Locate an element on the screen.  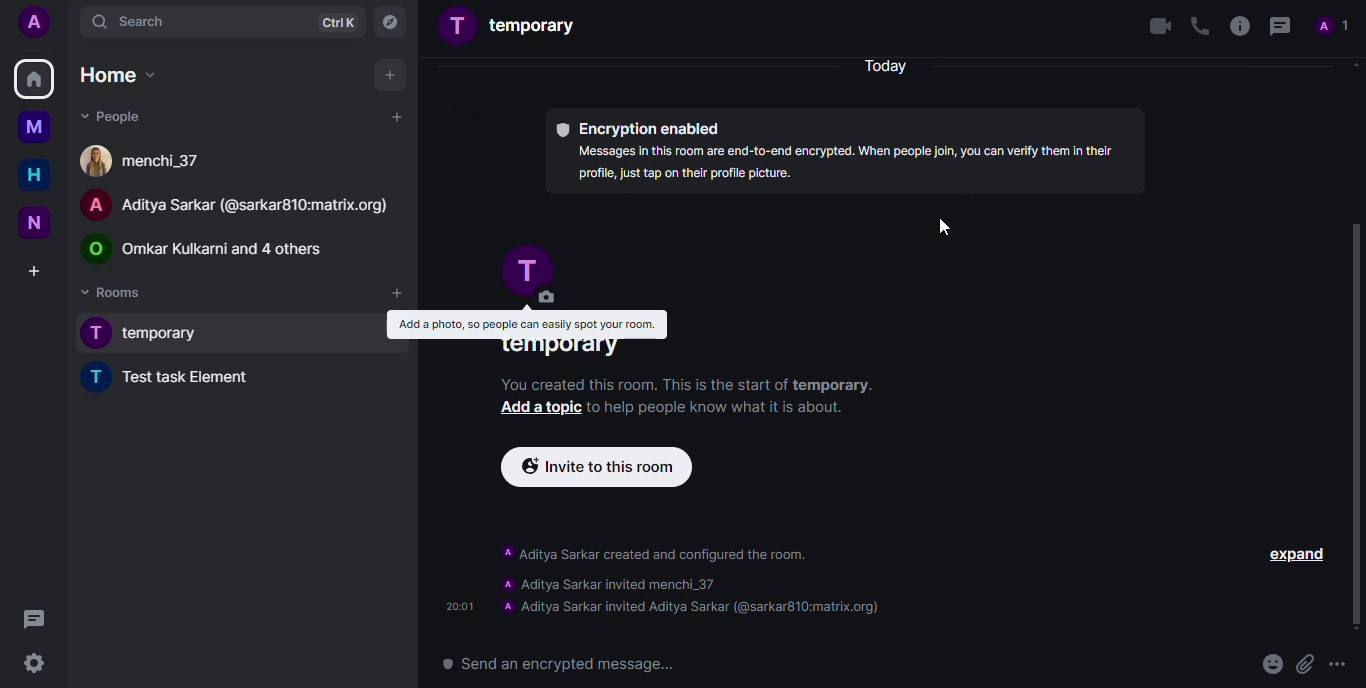
profile is located at coordinates (529, 266).